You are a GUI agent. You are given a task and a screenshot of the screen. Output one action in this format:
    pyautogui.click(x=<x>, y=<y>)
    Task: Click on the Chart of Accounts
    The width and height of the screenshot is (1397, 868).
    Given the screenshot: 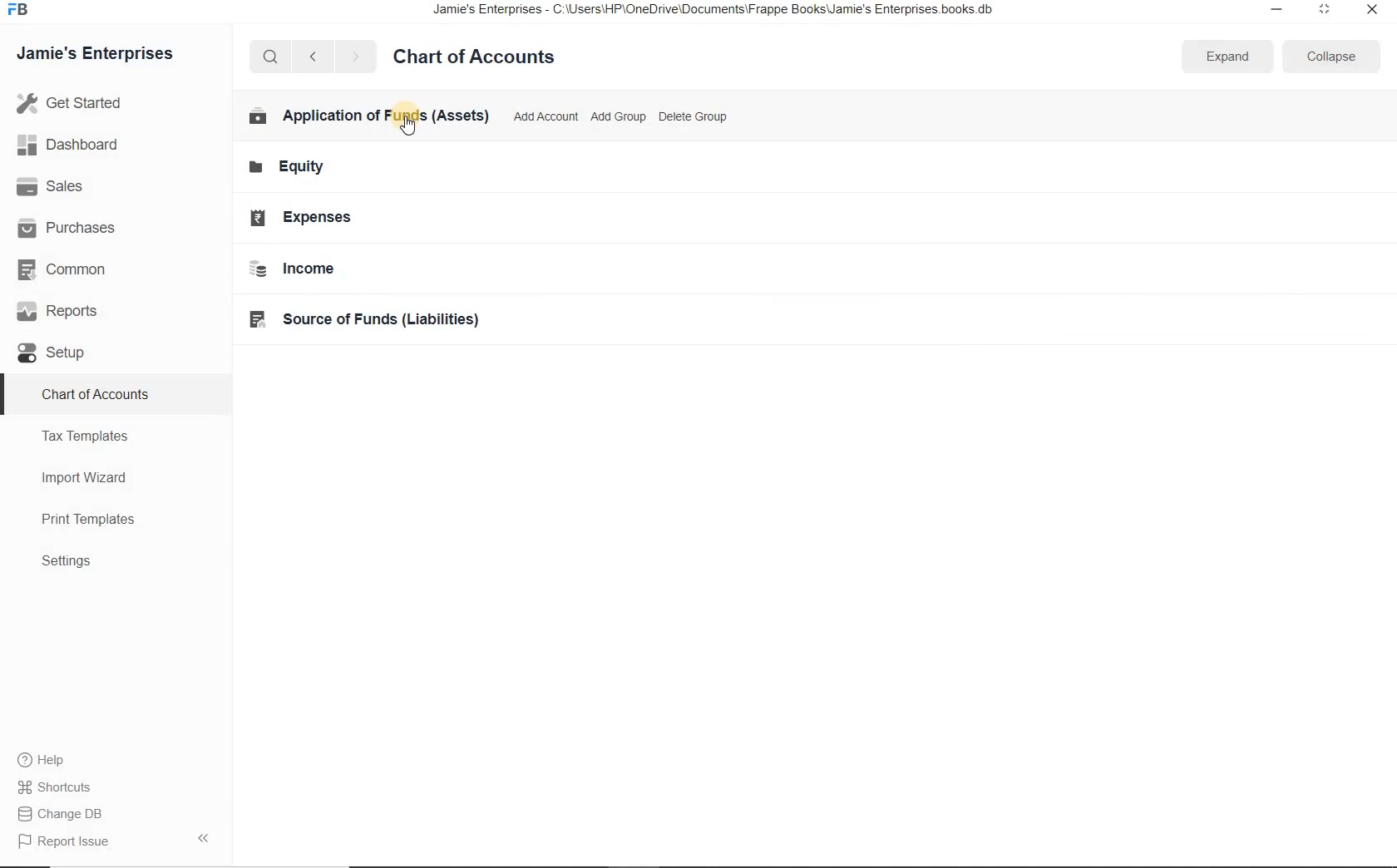 What is the action you would take?
    pyautogui.click(x=481, y=57)
    